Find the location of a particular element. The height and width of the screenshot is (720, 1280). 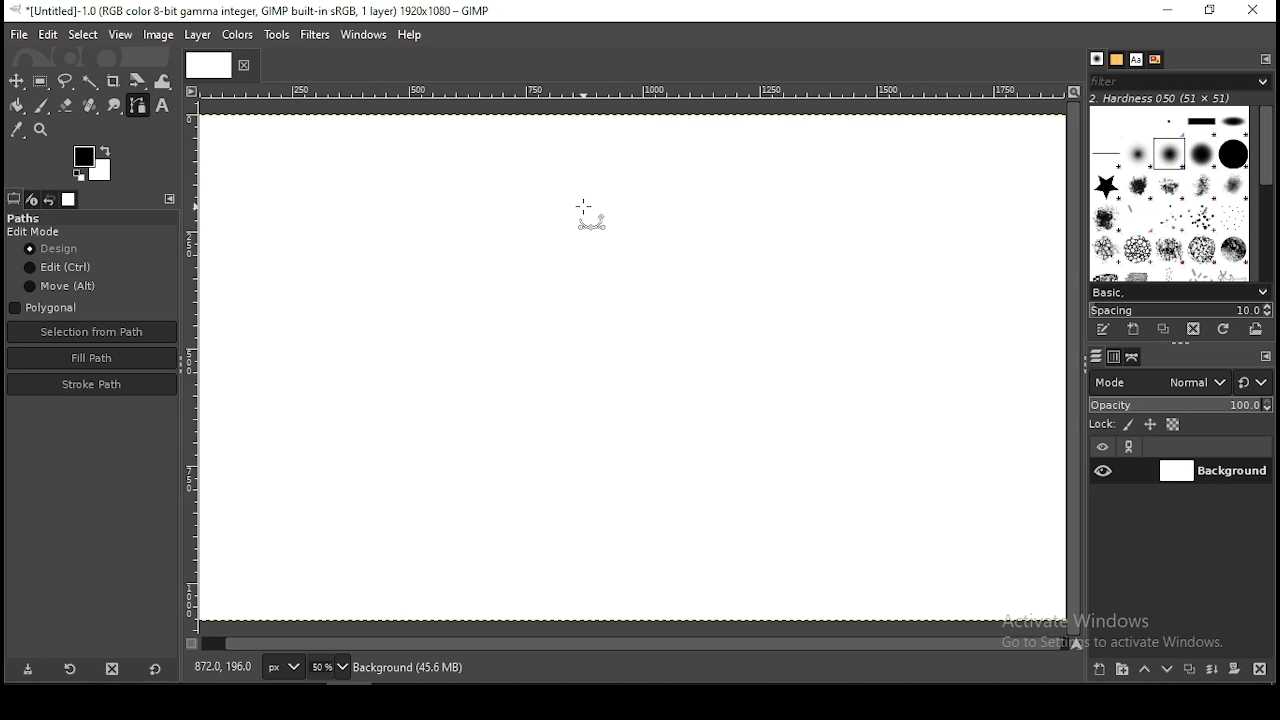

free selection tool is located at coordinates (66, 81).